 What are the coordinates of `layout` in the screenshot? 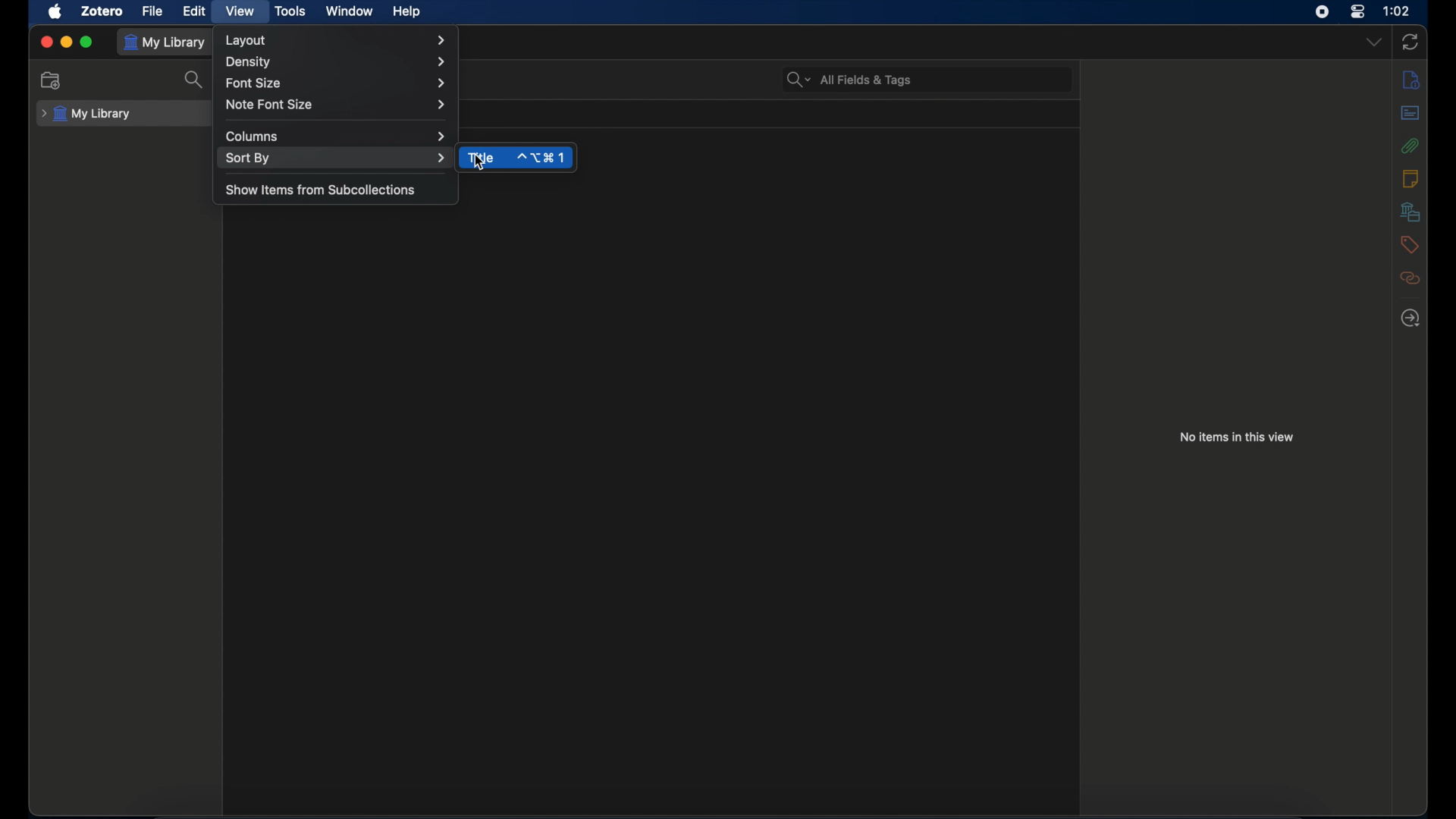 It's located at (335, 41).